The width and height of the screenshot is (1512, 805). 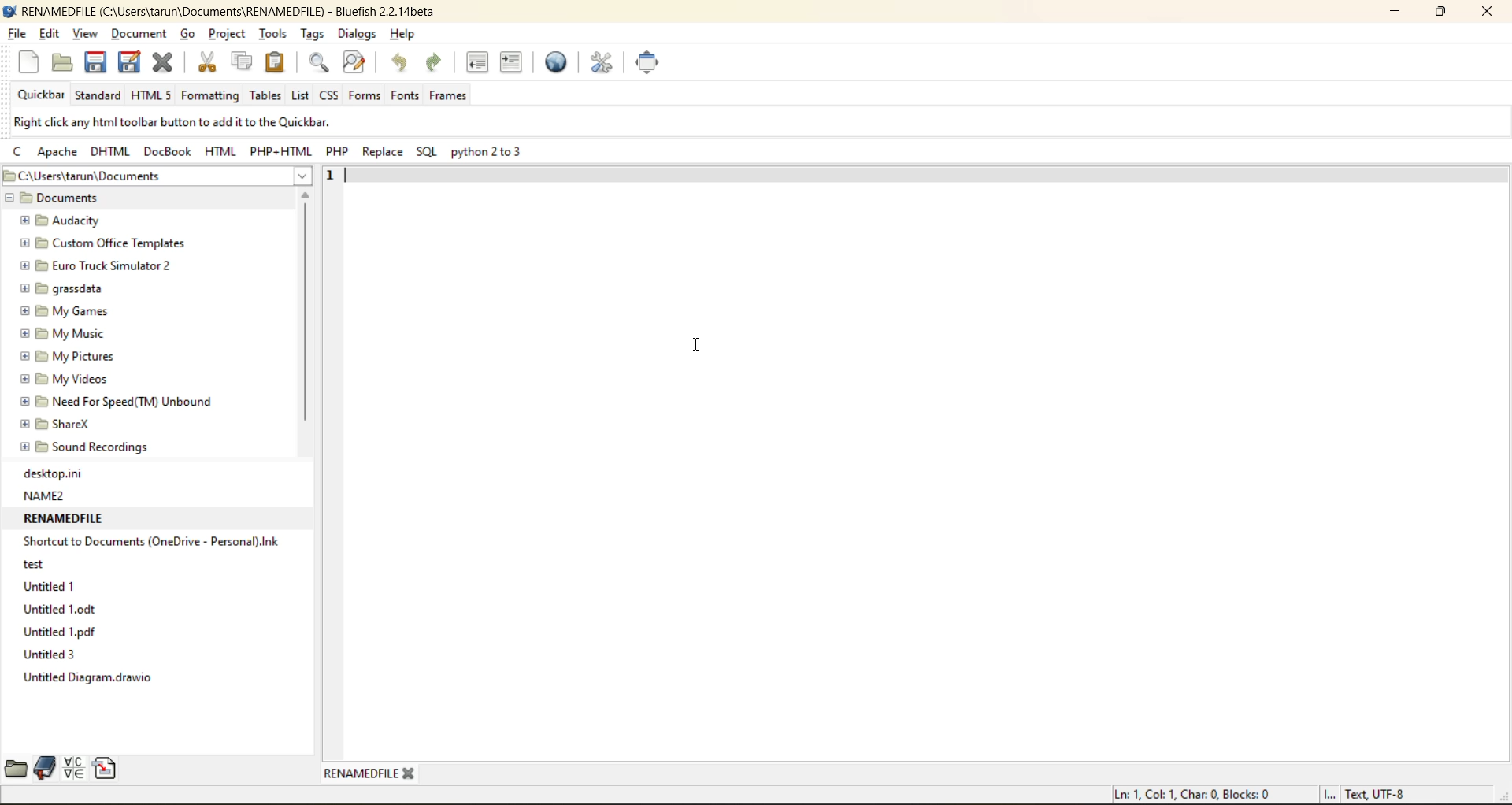 What do you see at coordinates (45, 95) in the screenshot?
I see `quickbar` at bounding box center [45, 95].